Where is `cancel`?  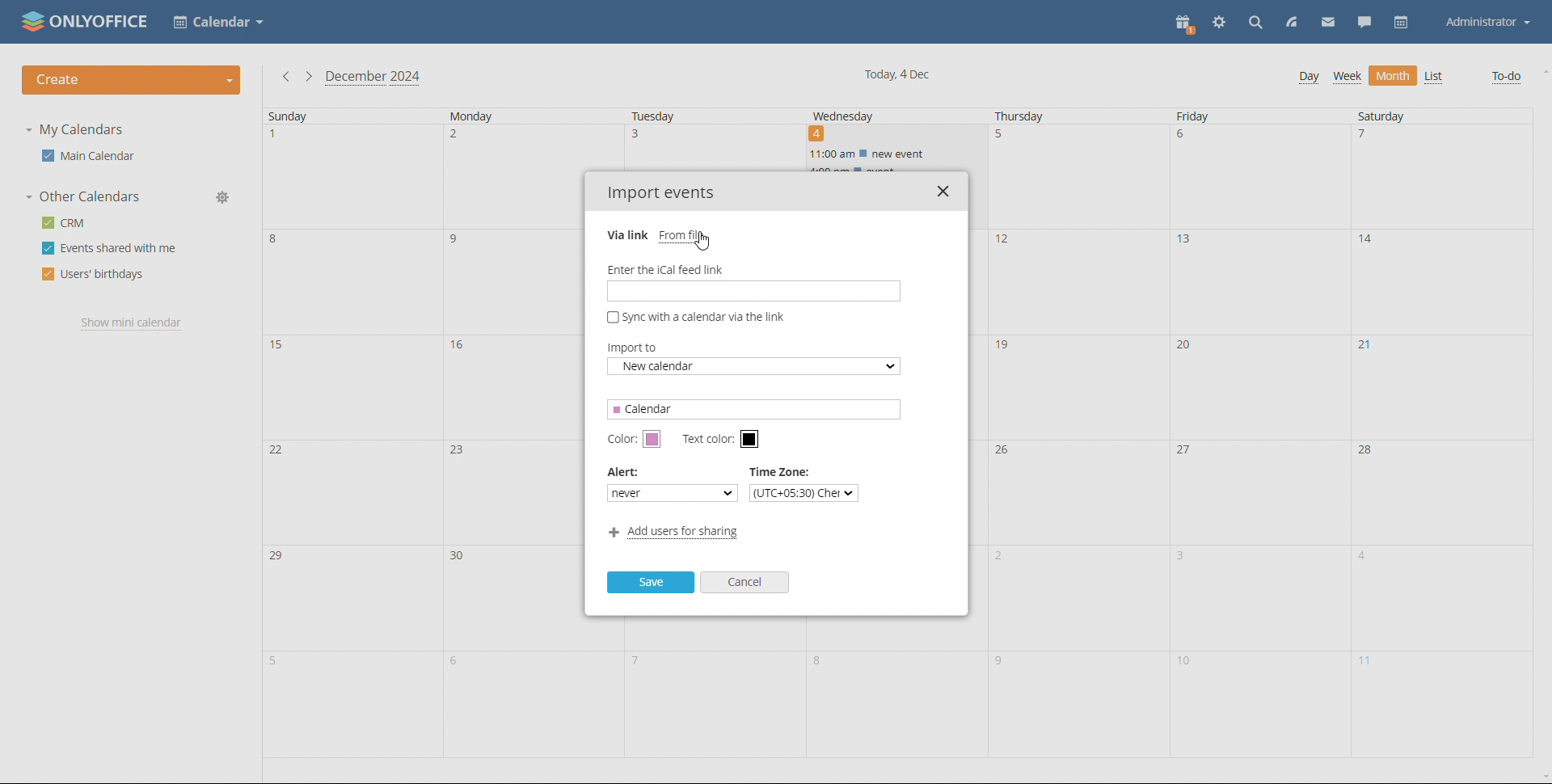
cancel is located at coordinates (744, 582).